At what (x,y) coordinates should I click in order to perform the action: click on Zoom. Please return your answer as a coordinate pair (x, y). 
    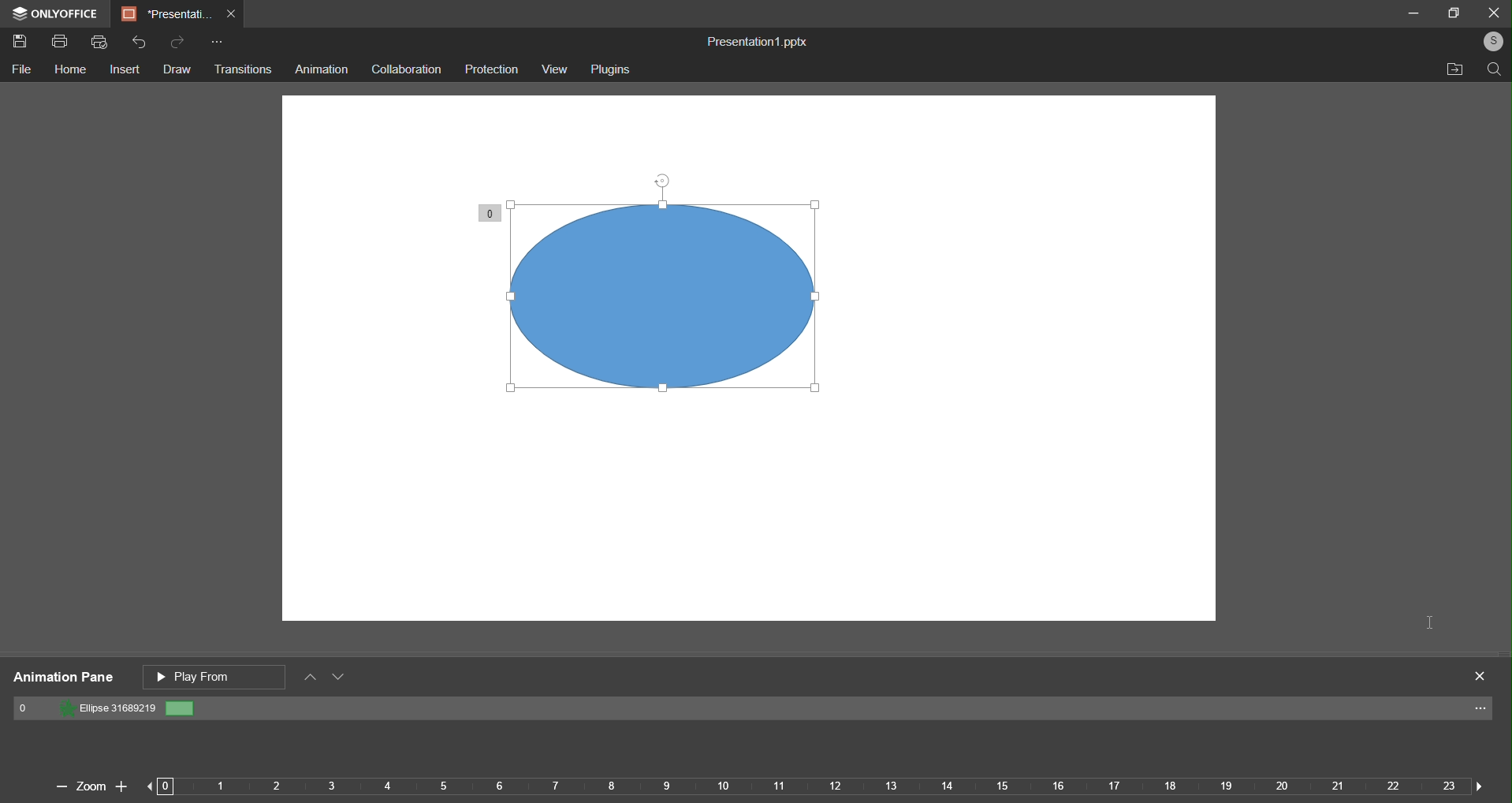
    Looking at the image, I should click on (89, 786).